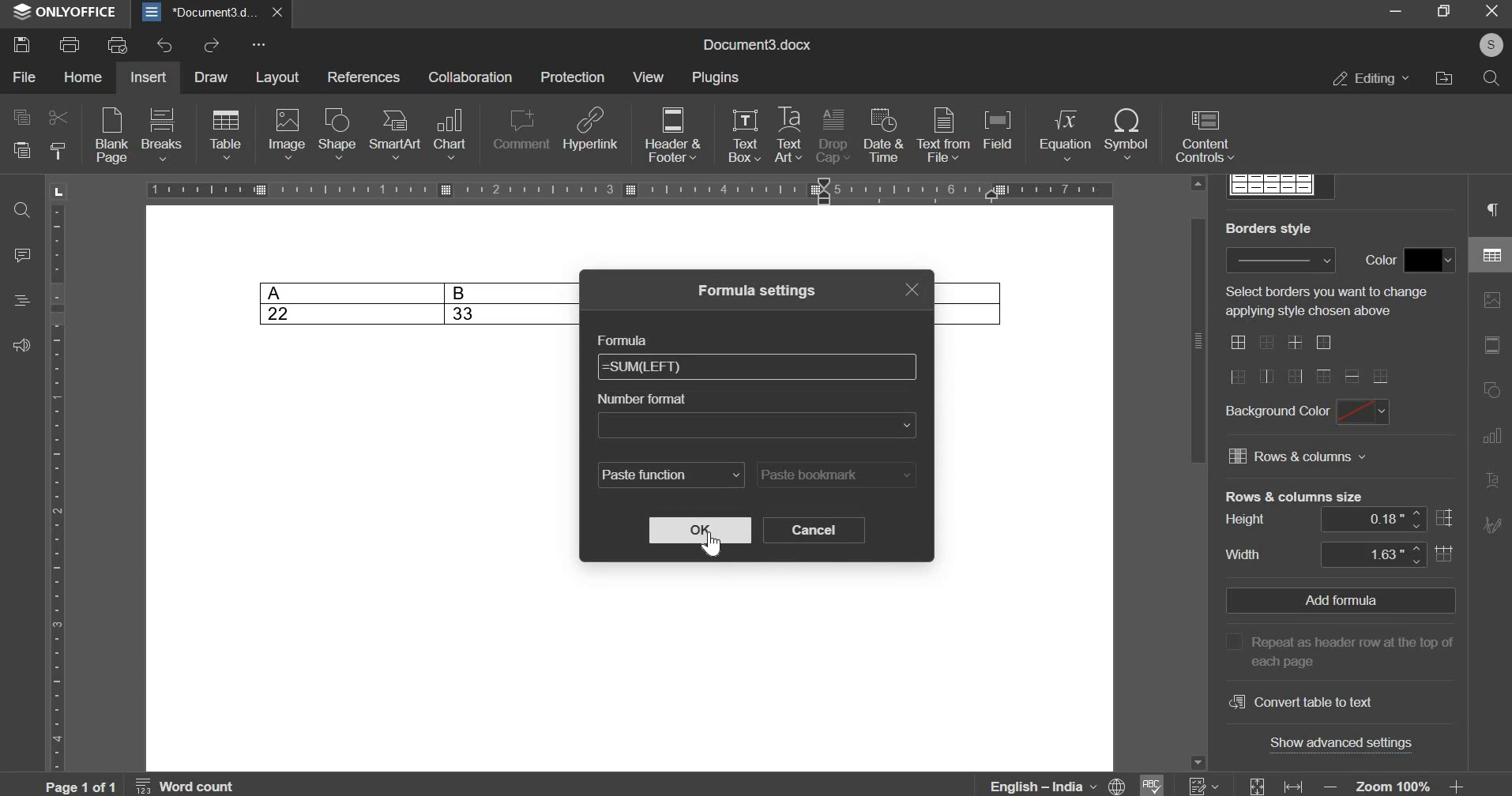  Describe the element at coordinates (24, 43) in the screenshot. I see `save` at that location.